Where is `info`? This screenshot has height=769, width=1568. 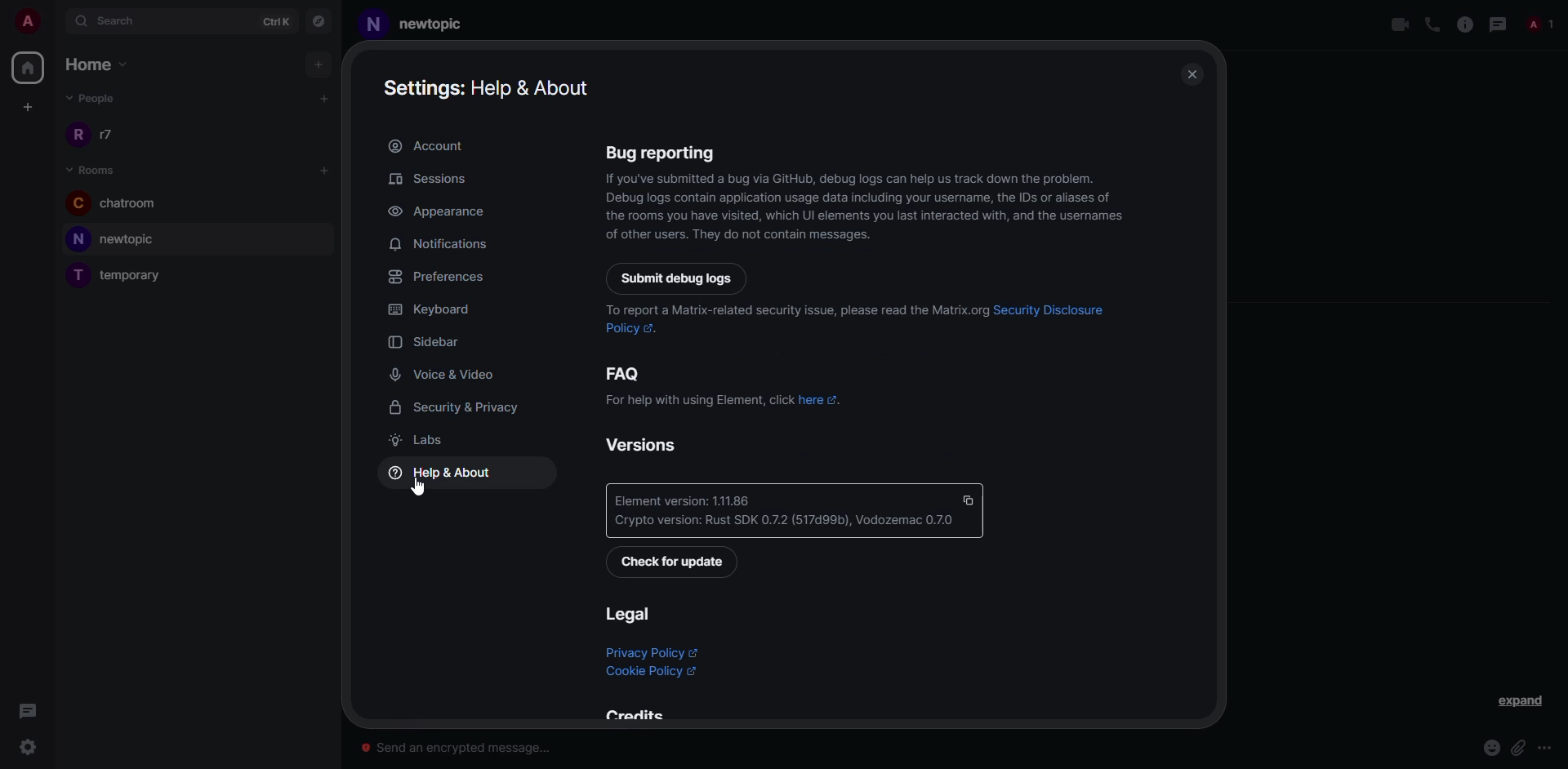
info is located at coordinates (697, 401).